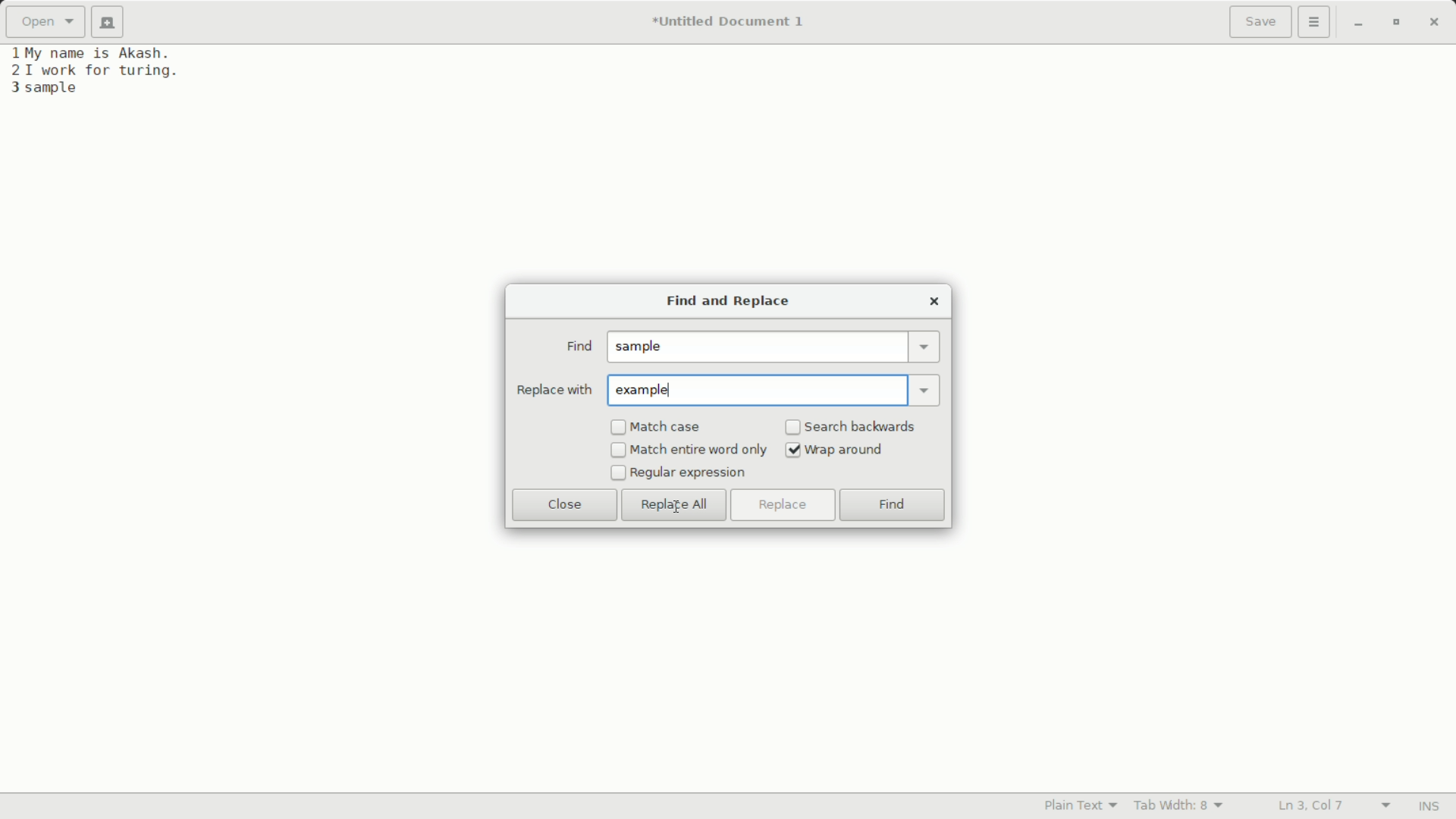 This screenshot has width=1456, height=819. I want to click on replace with, so click(554, 390).